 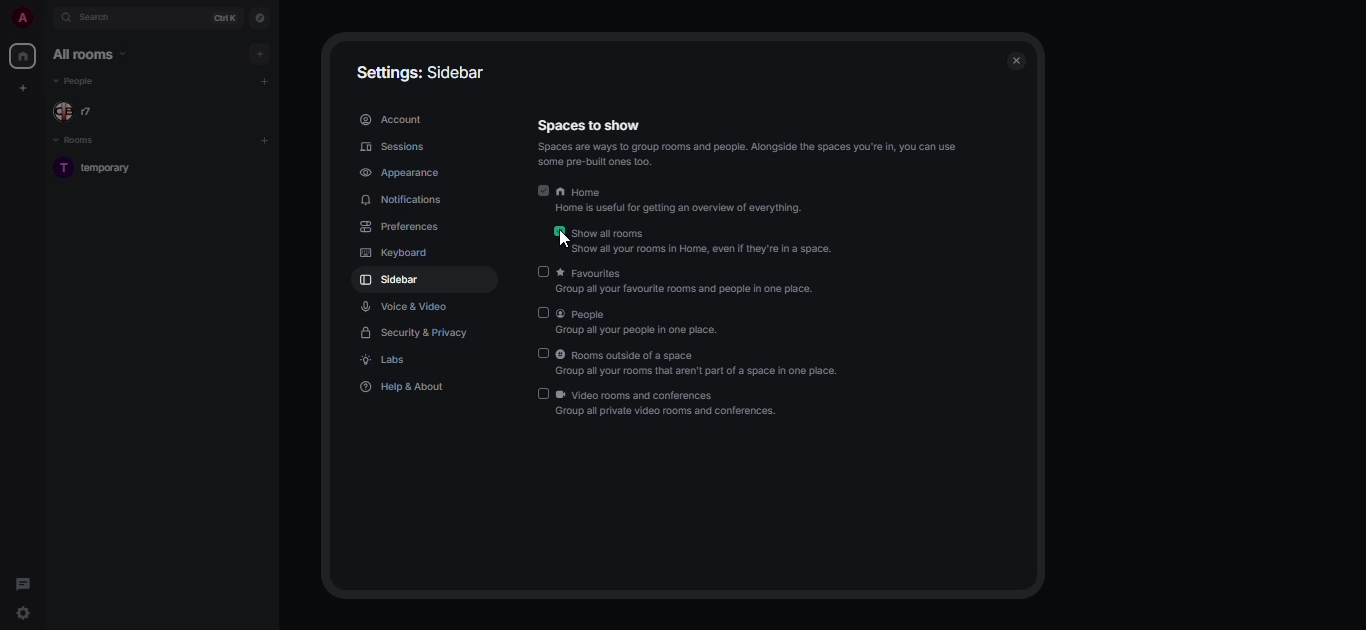 I want to click on quick settings, so click(x=23, y=614).